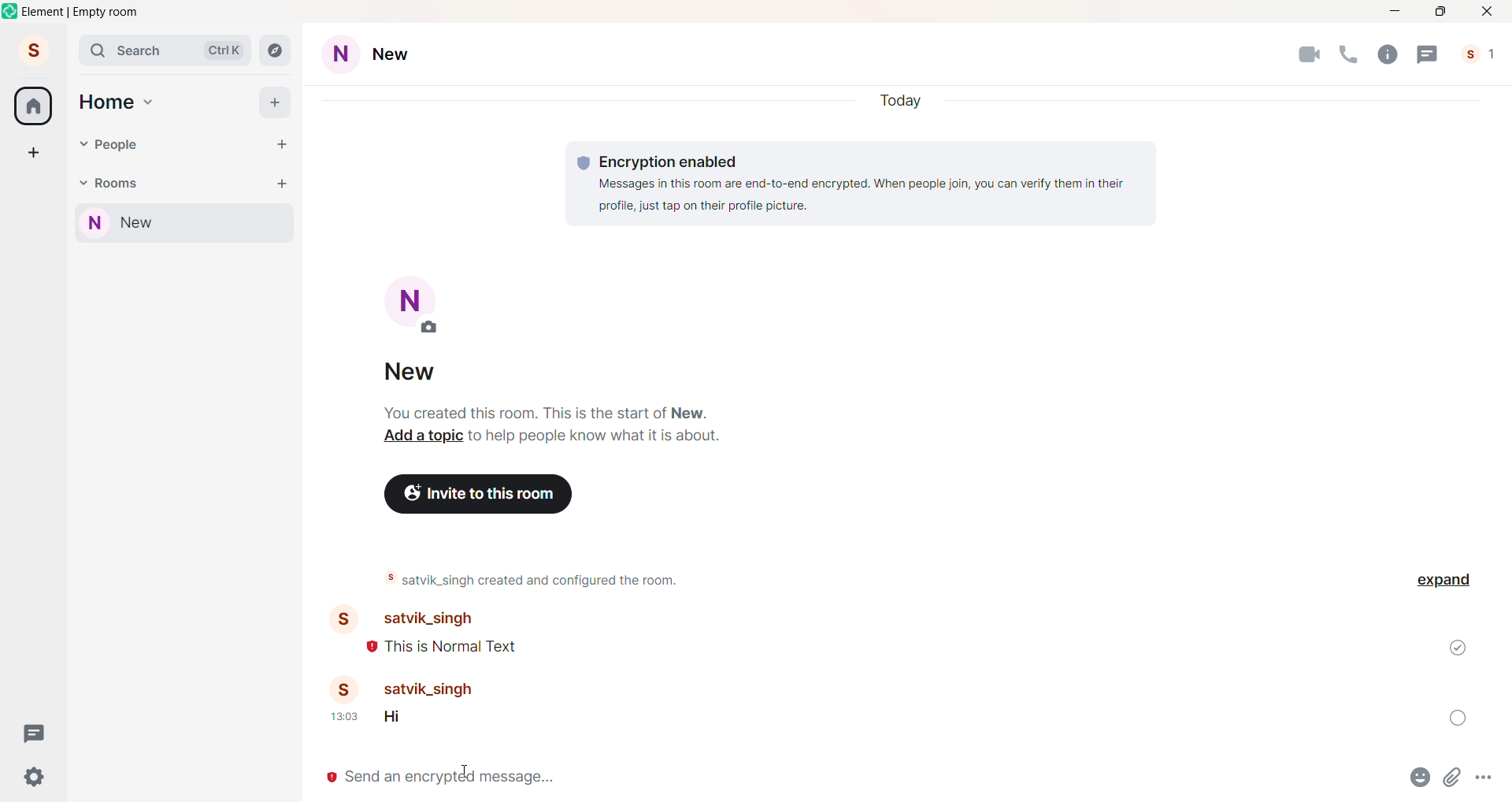 The height and width of the screenshot is (802, 1512). What do you see at coordinates (416, 303) in the screenshot?
I see `Add Room Picture` at bounding box center [416, 303].